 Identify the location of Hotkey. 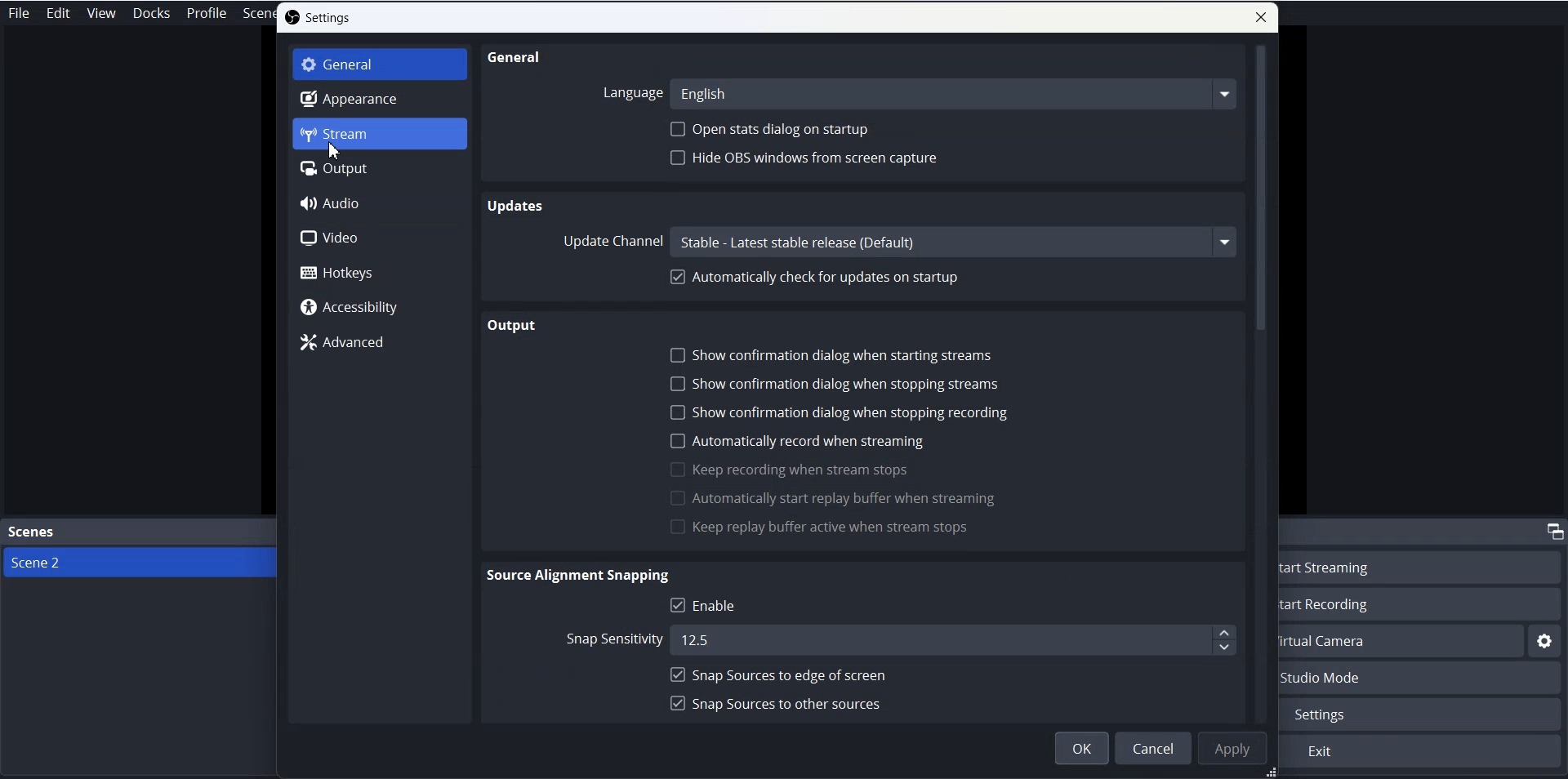
(379, 272).